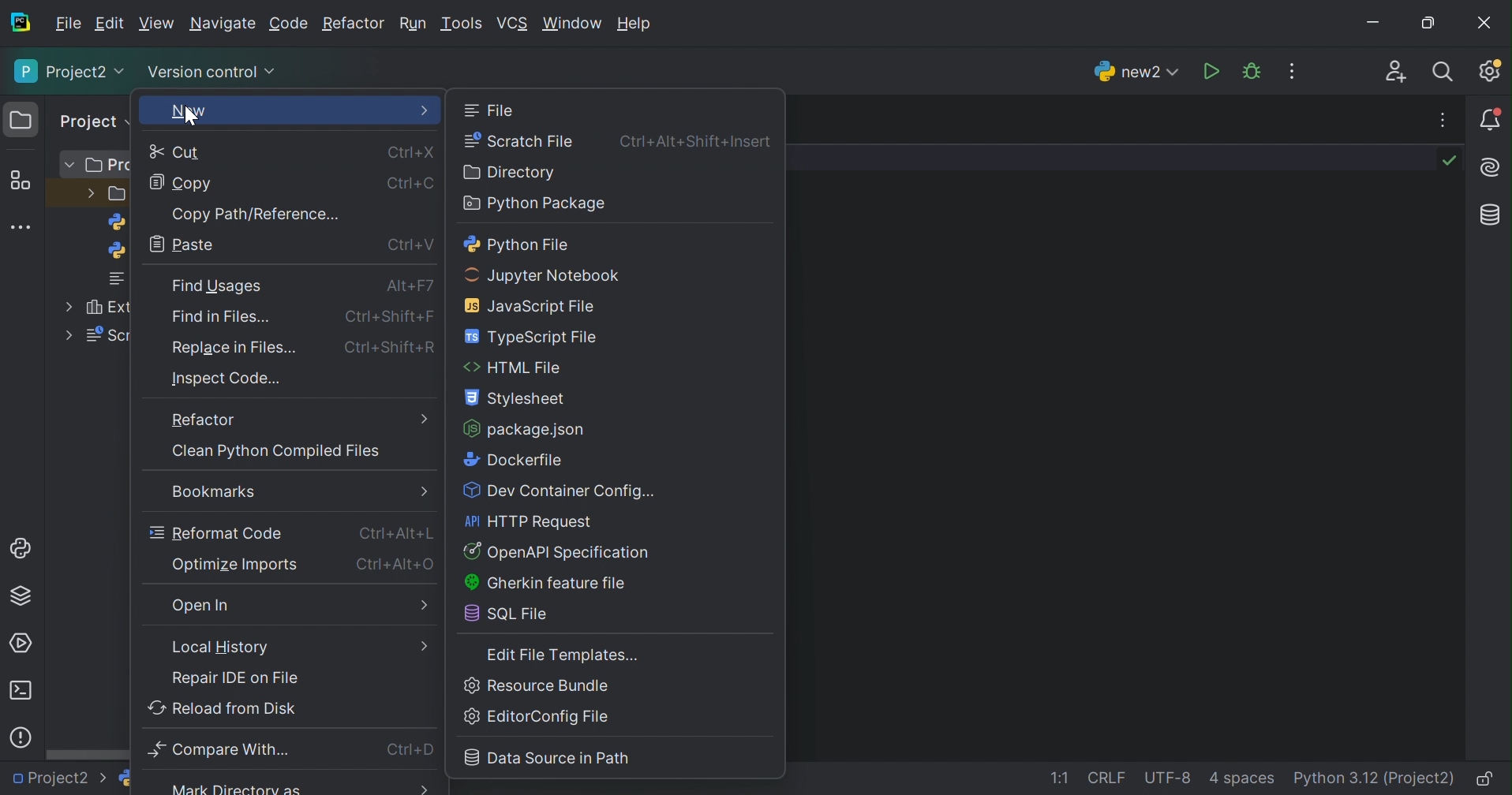  I want to click on Structure, so click(21, 181).